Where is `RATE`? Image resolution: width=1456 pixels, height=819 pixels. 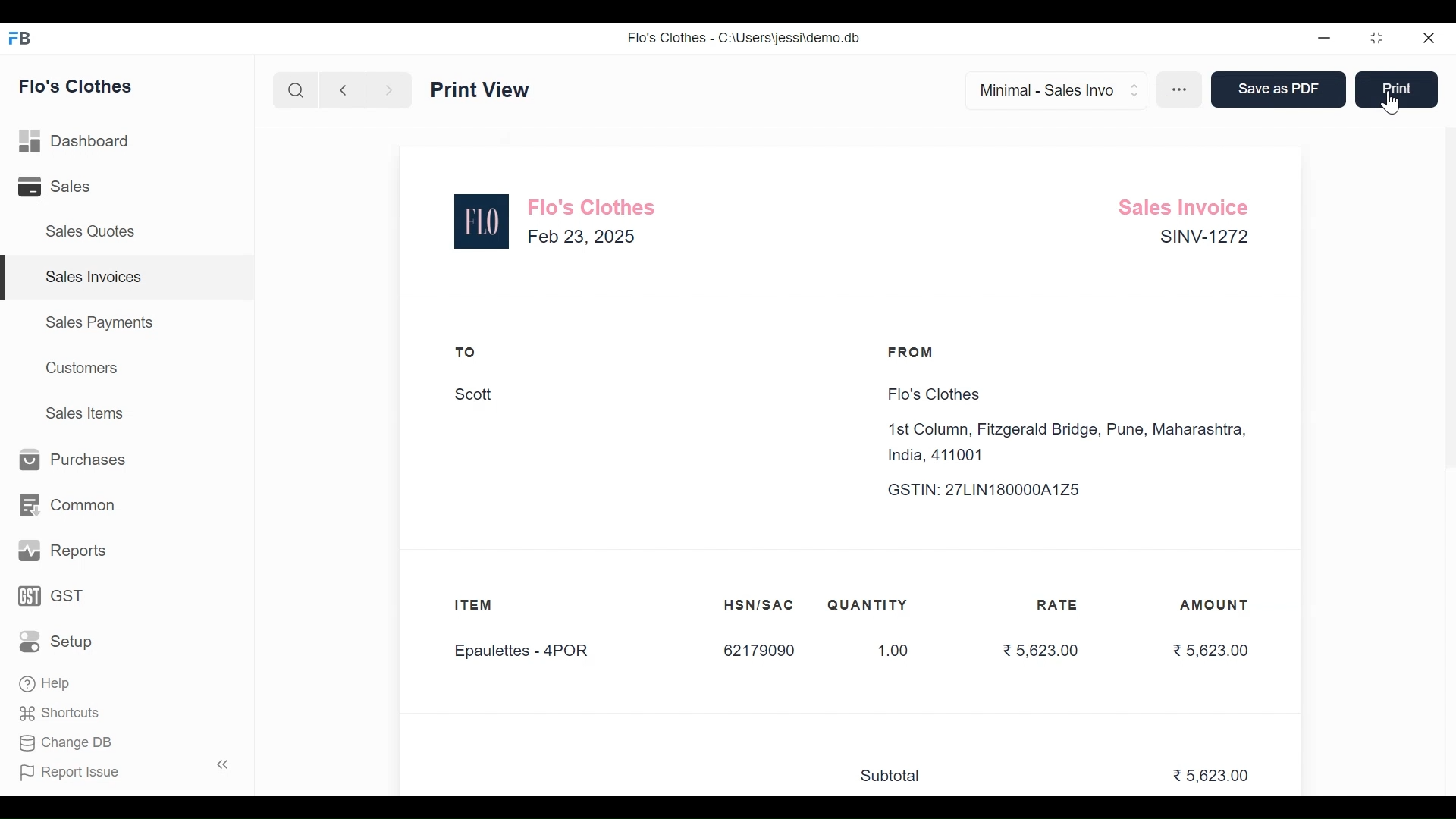
RATE is located at coordinates (1062, 605).